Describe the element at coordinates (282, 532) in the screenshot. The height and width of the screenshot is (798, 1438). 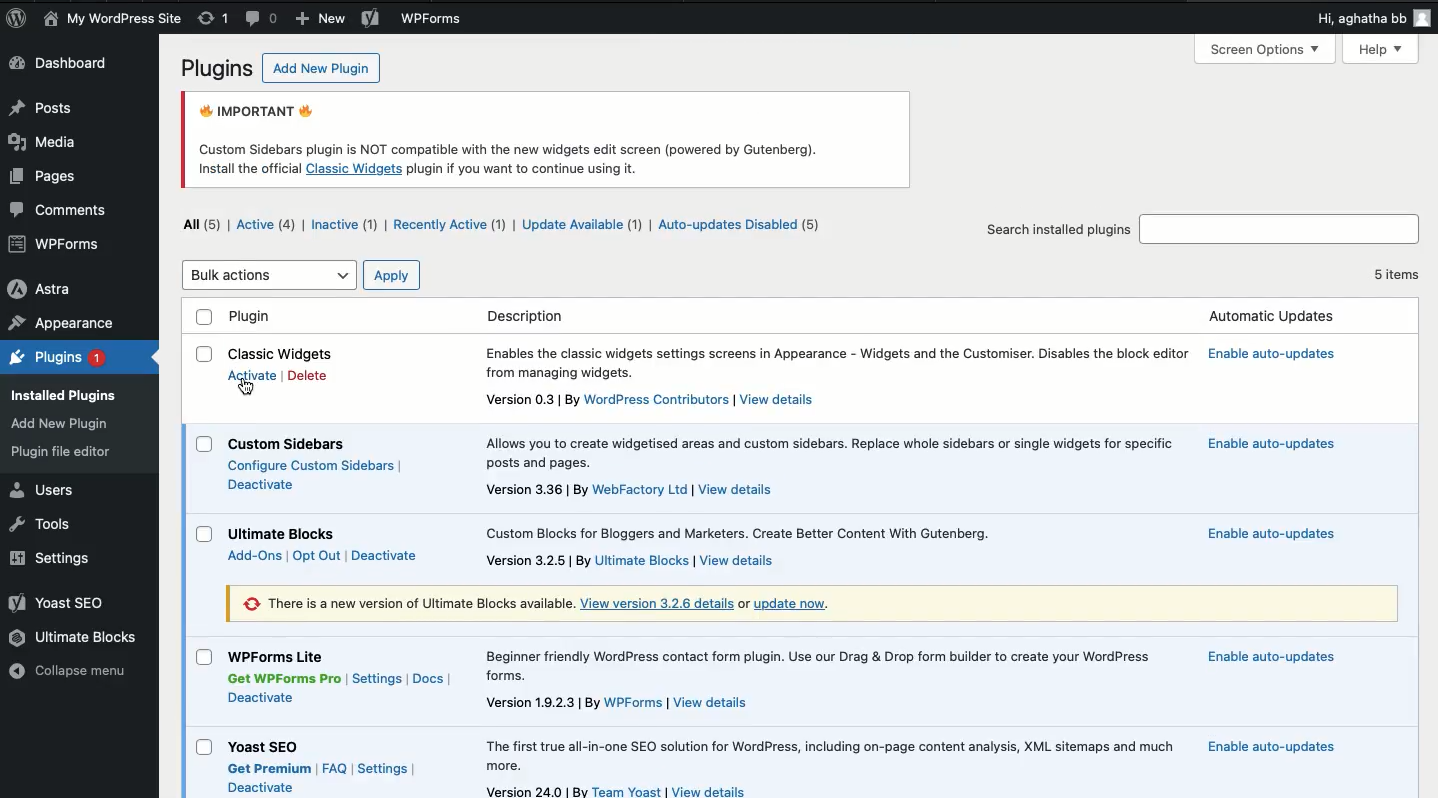
I see `Ultimate block` at that location.